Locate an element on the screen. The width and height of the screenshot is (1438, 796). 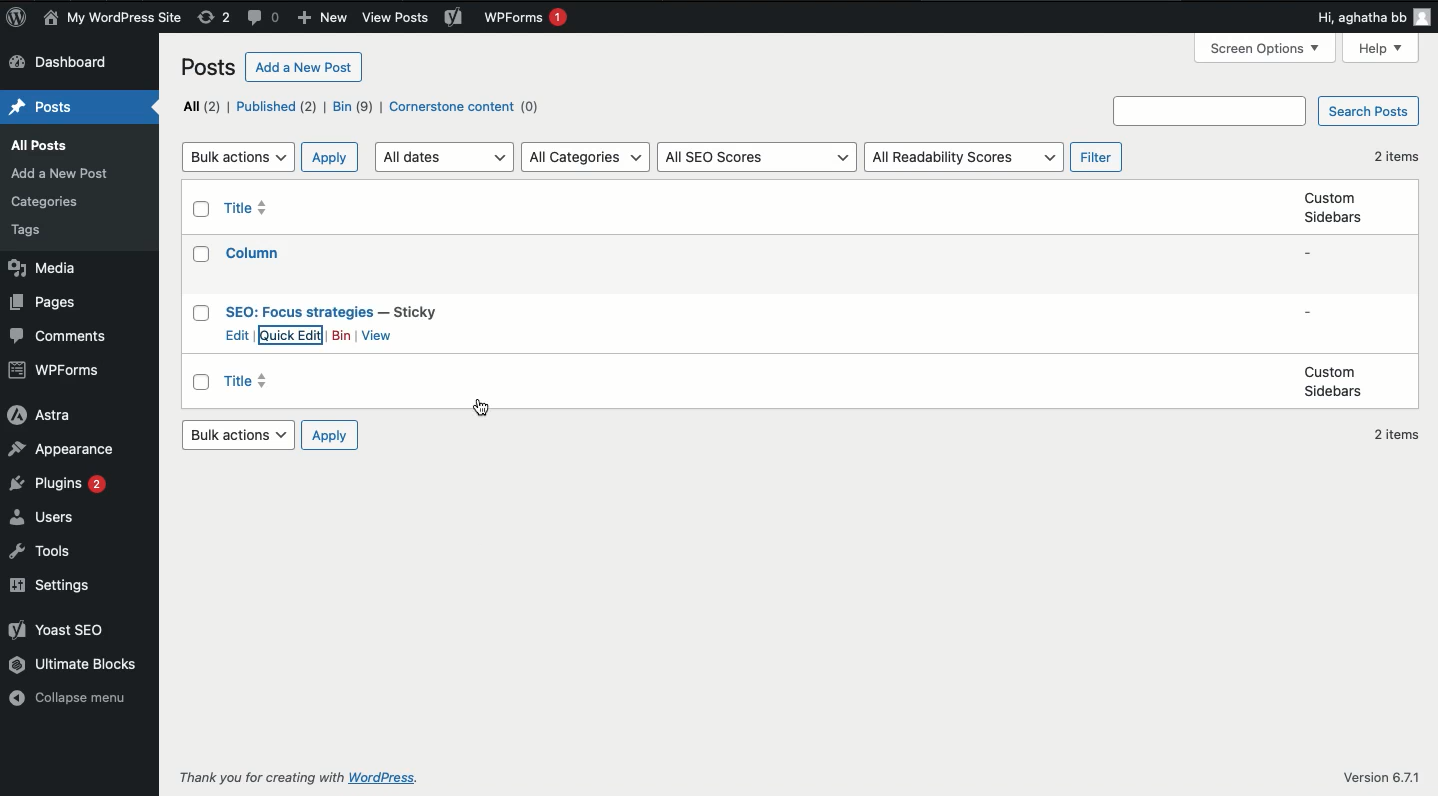
Posts is located at coordinates (211, 70).